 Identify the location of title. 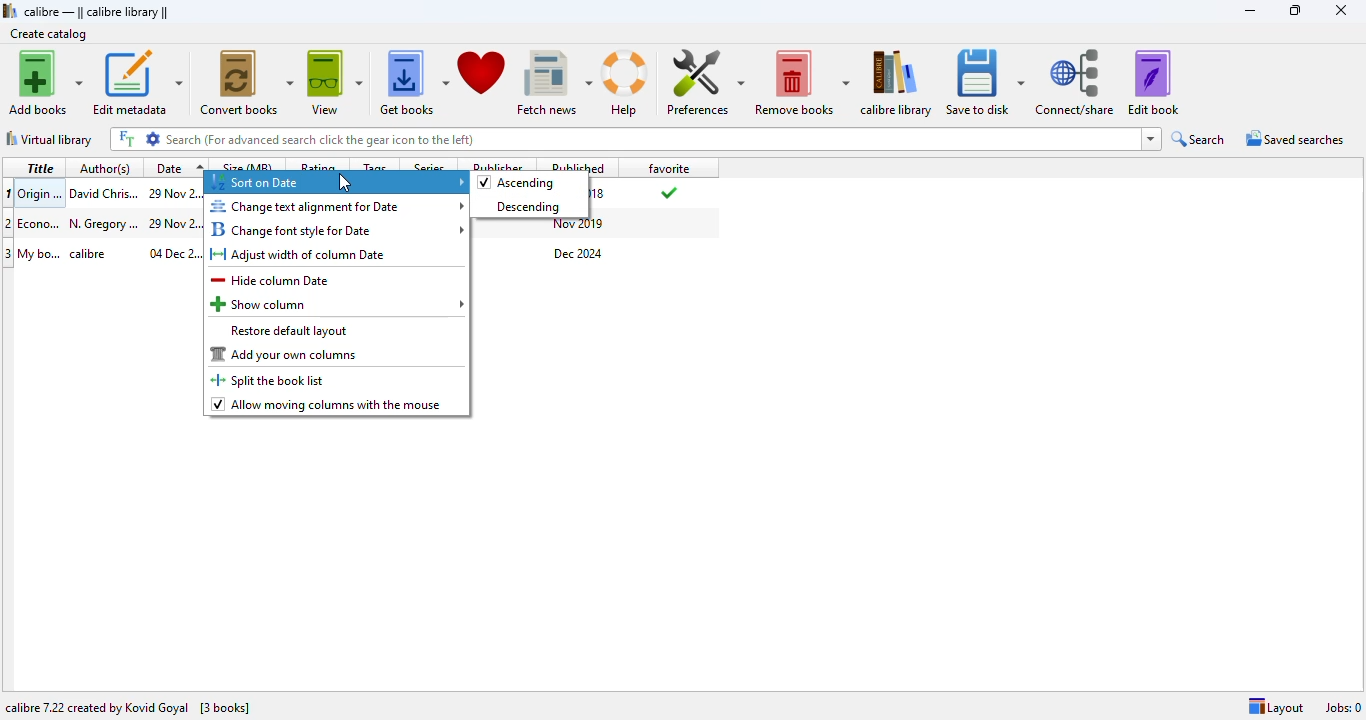
(40, 253).